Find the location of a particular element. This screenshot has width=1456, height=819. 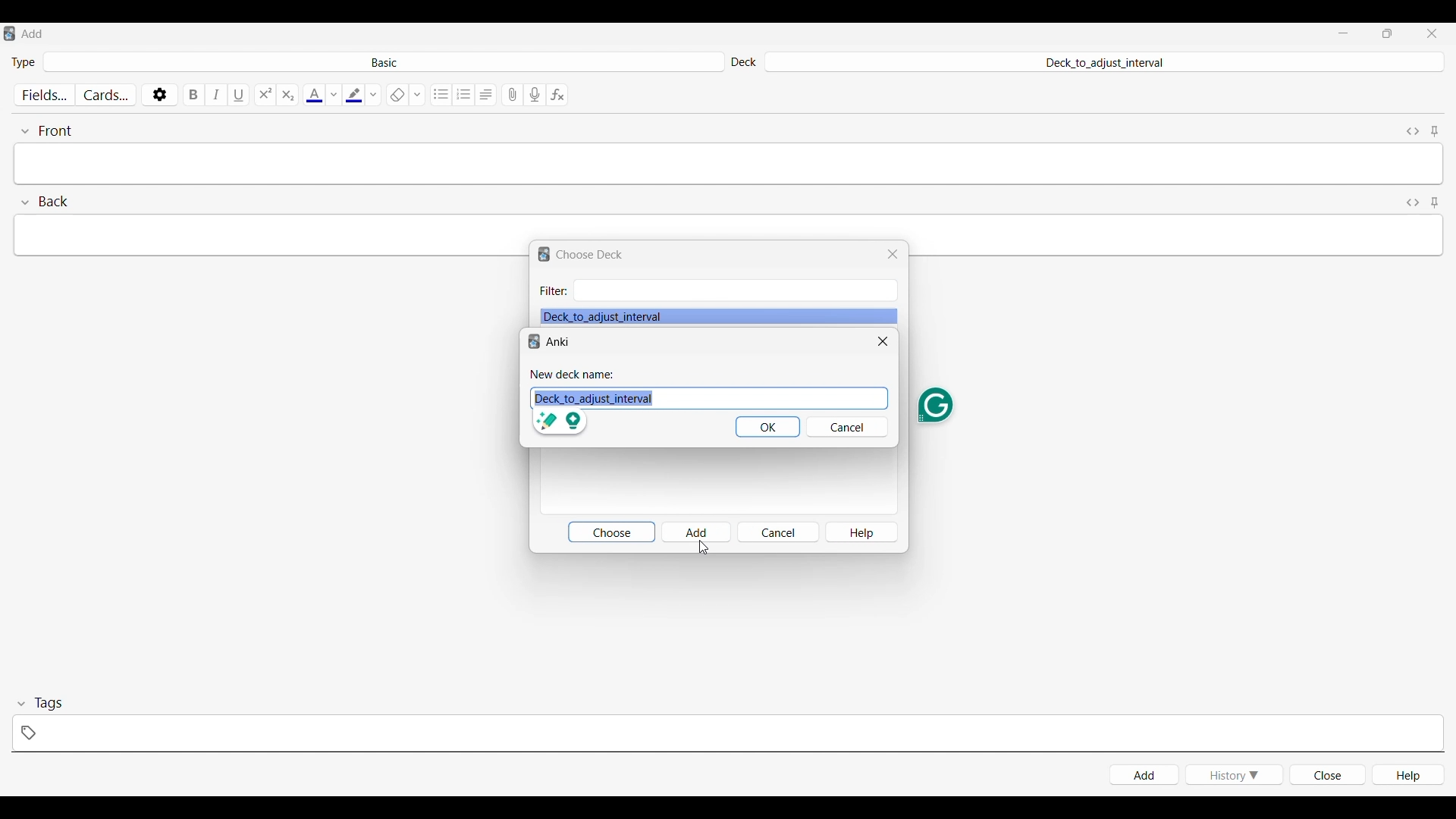

Toggle sticky is located at coordinates (1434, 203).